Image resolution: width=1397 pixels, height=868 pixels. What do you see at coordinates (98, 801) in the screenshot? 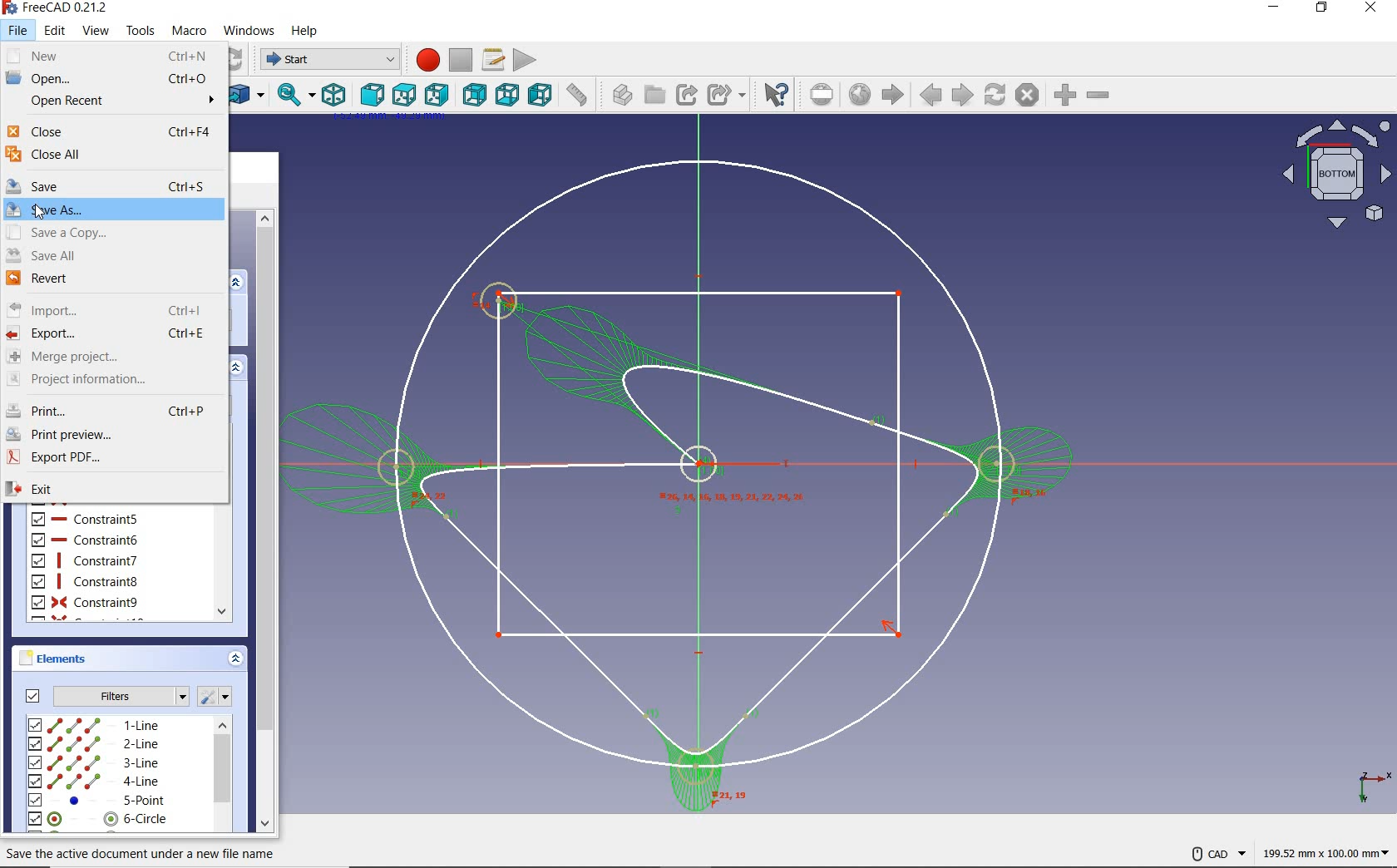
I see `5-line` at bounding box center [98, 801].